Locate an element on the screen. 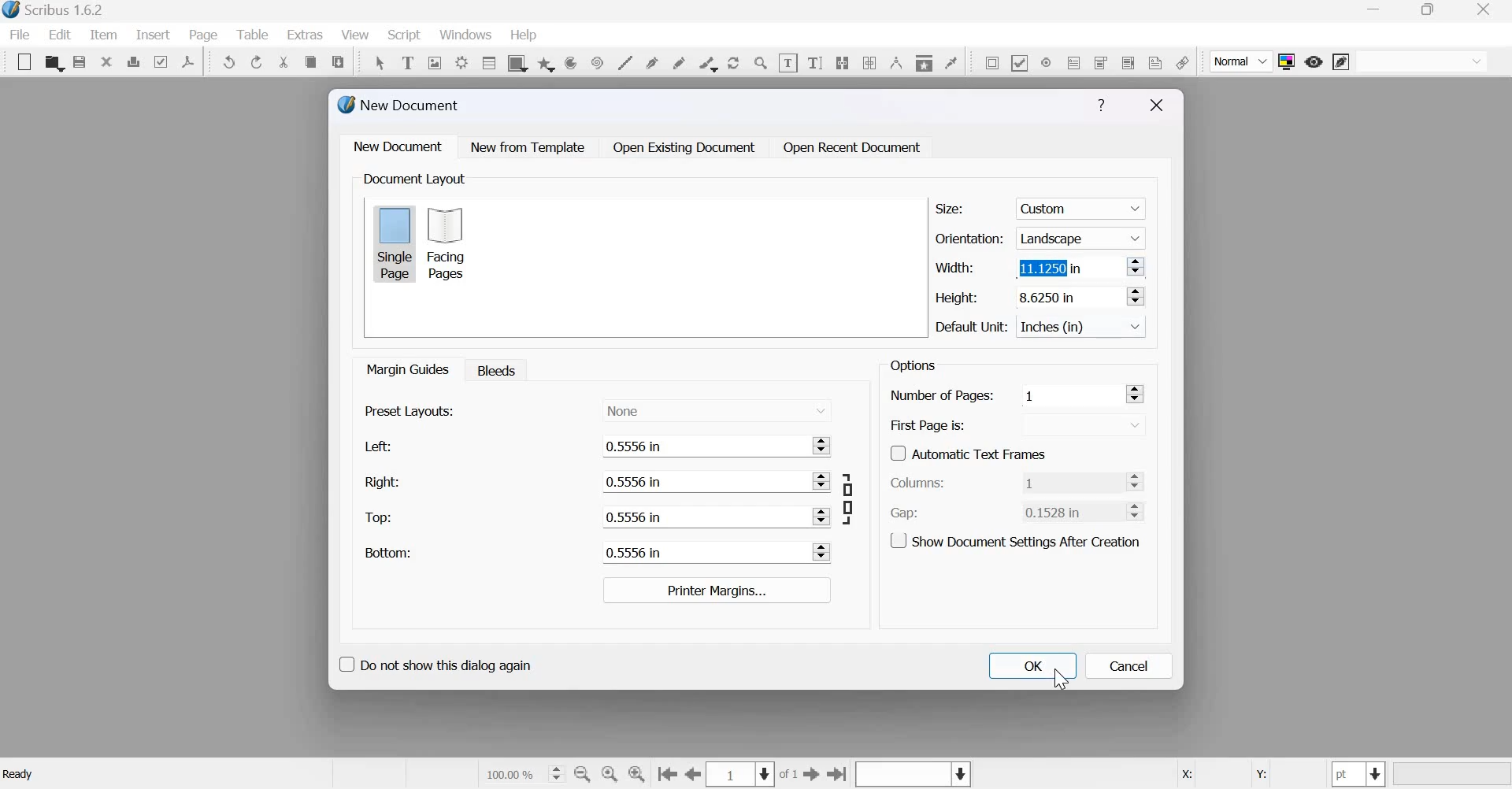  Select item is located at coordinates (380, 61).